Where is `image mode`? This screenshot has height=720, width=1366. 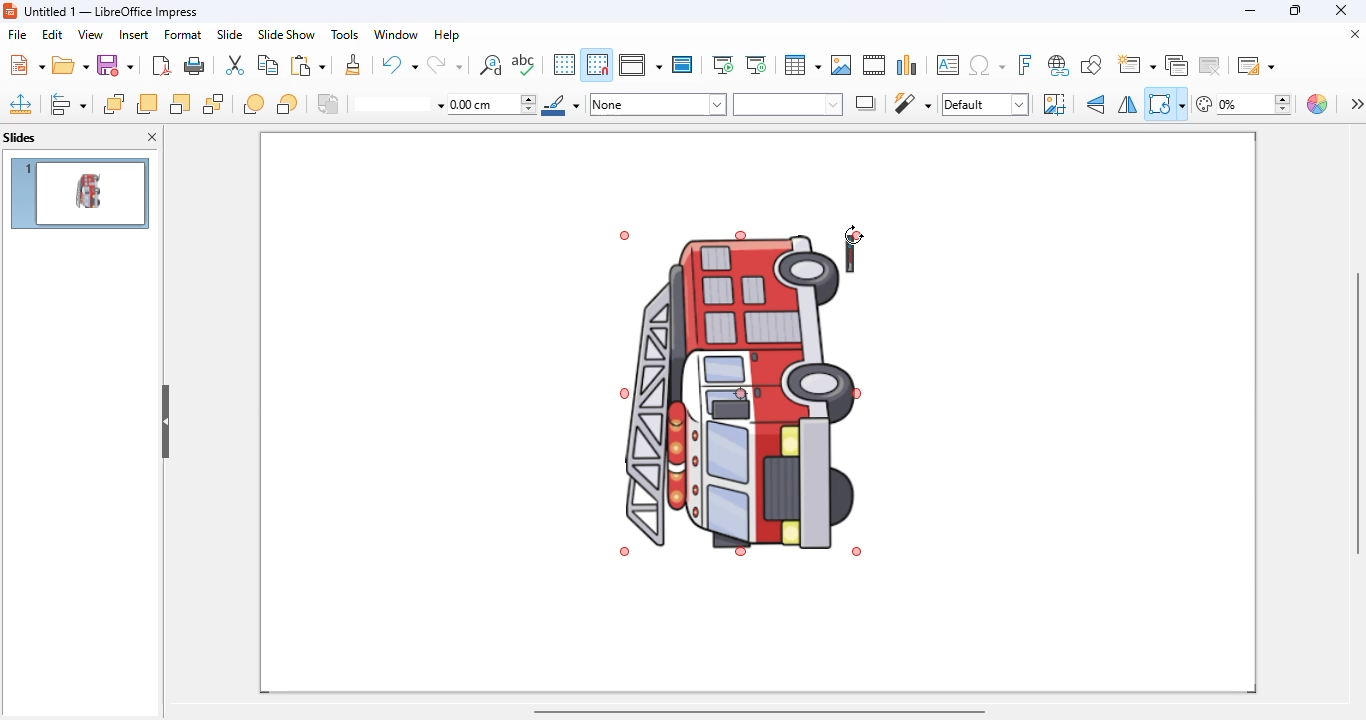 image mode is located at coordinates (985, 105).